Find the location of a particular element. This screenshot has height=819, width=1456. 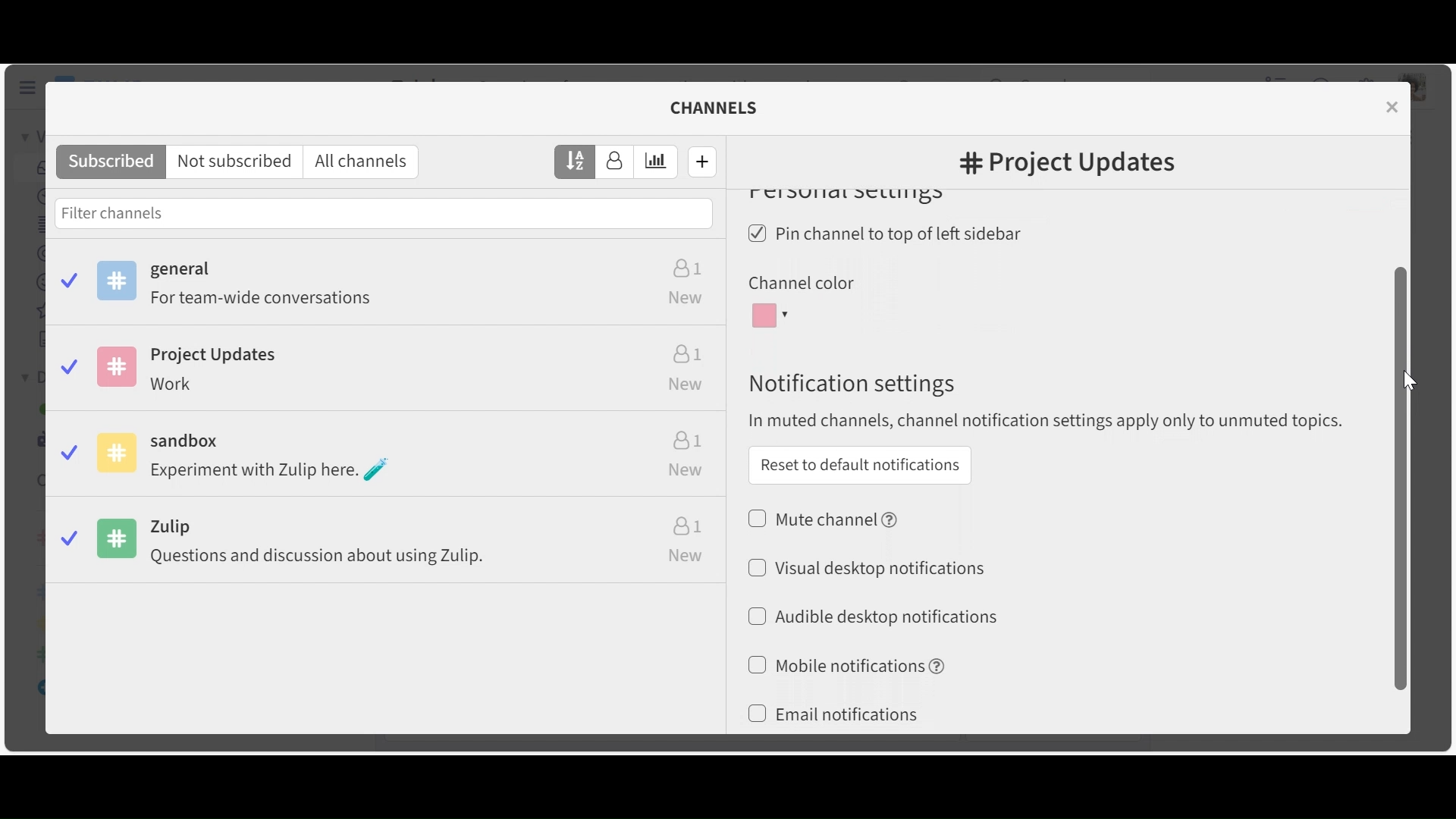

Zulip is located at coordinates (390, 544).